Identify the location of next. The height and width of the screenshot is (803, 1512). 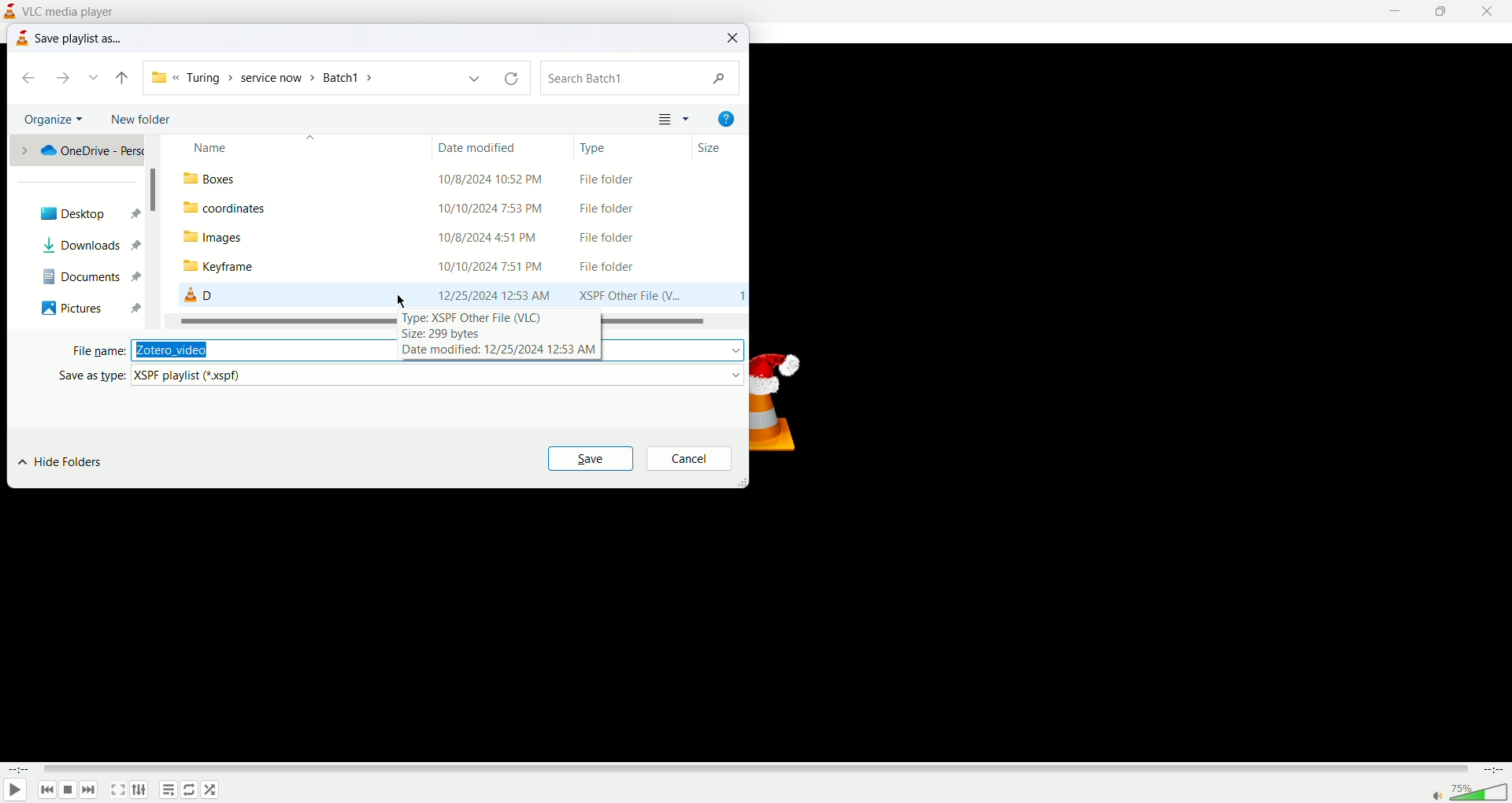
(69, 79).